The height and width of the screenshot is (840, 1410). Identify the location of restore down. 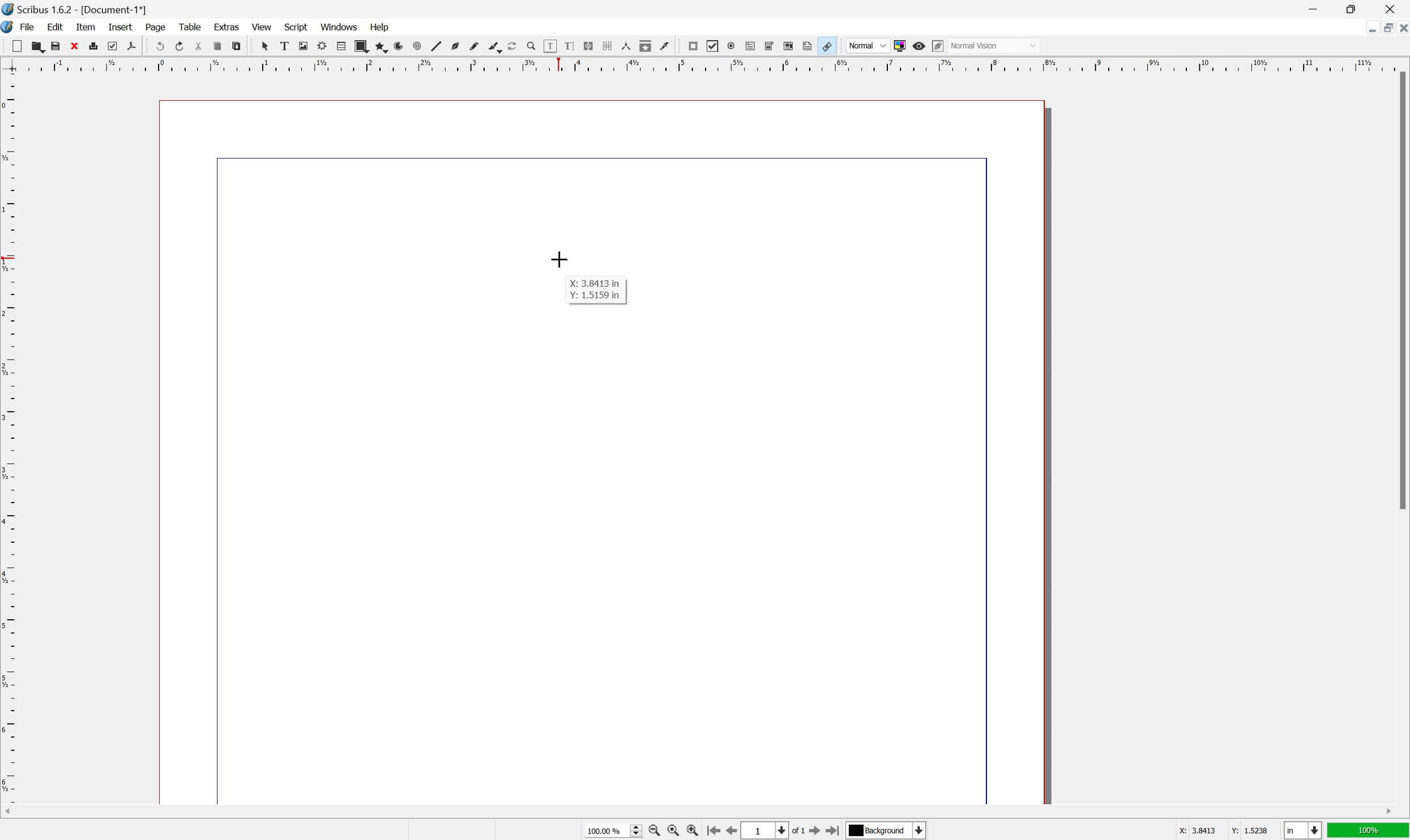
(1353, 8).